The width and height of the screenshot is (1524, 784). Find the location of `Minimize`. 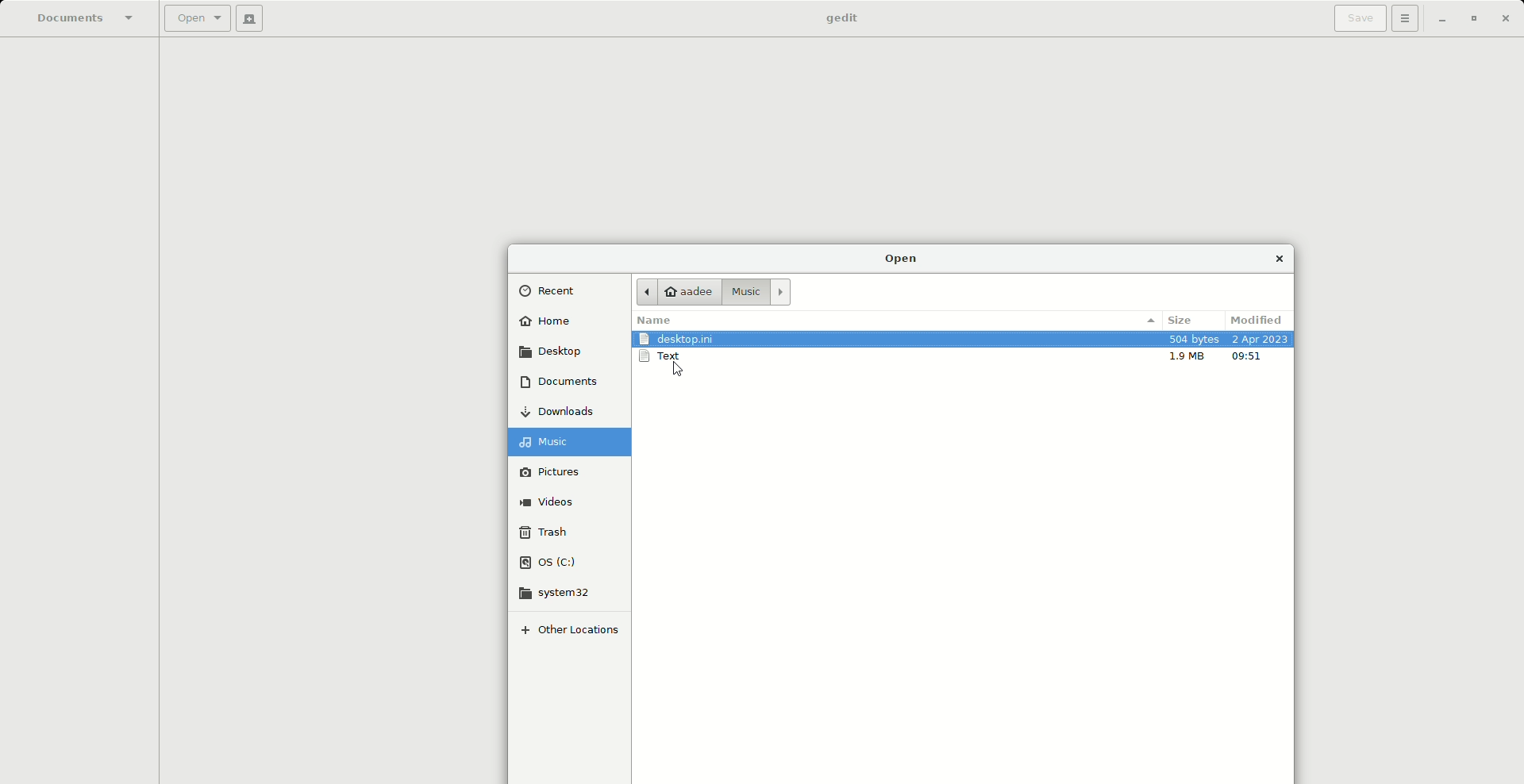

Minimize is located at coordinates (1443, 22).